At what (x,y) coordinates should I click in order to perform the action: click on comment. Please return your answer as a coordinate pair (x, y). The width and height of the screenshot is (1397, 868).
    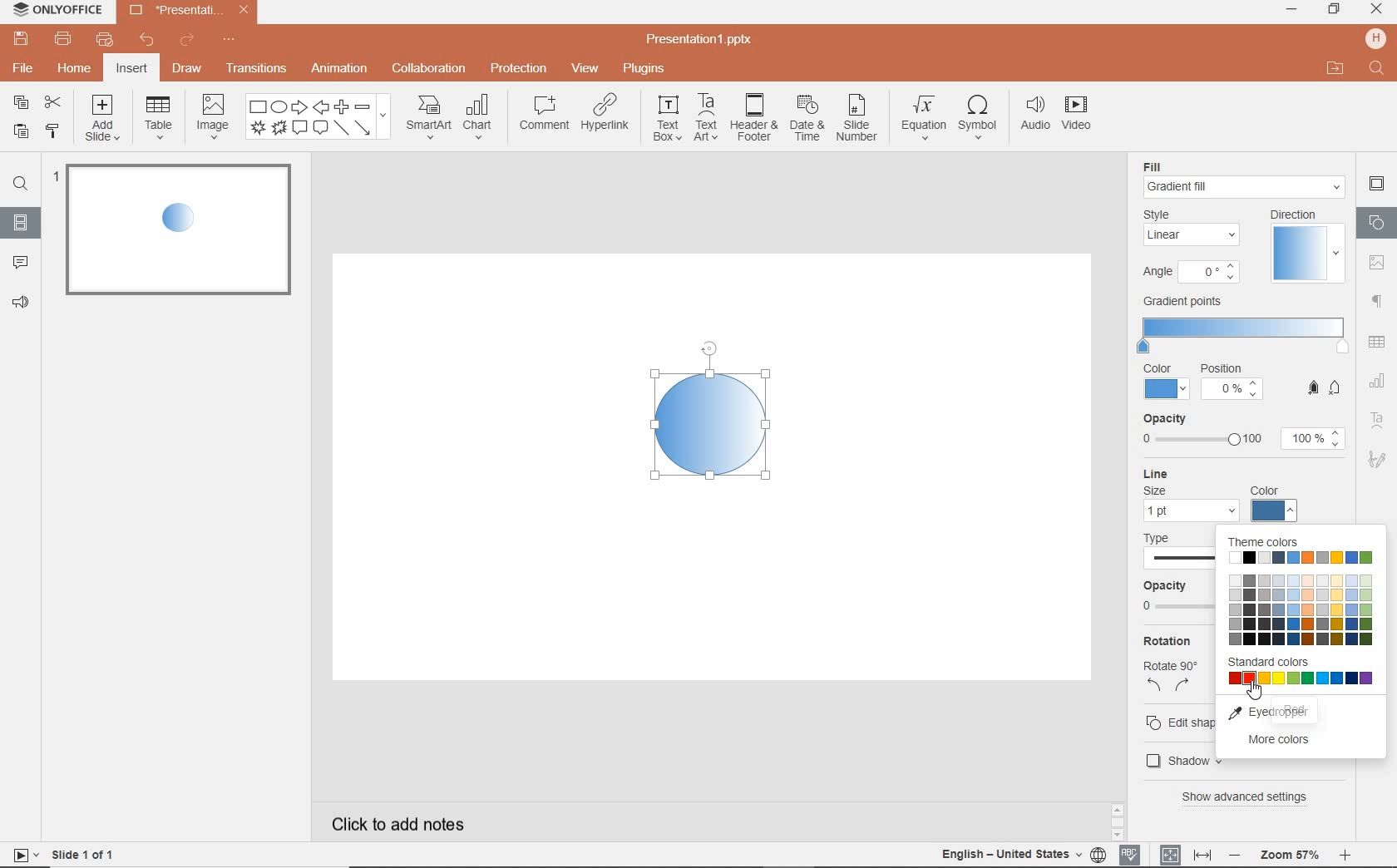
    Looking at the image, I should click on (17, 263).